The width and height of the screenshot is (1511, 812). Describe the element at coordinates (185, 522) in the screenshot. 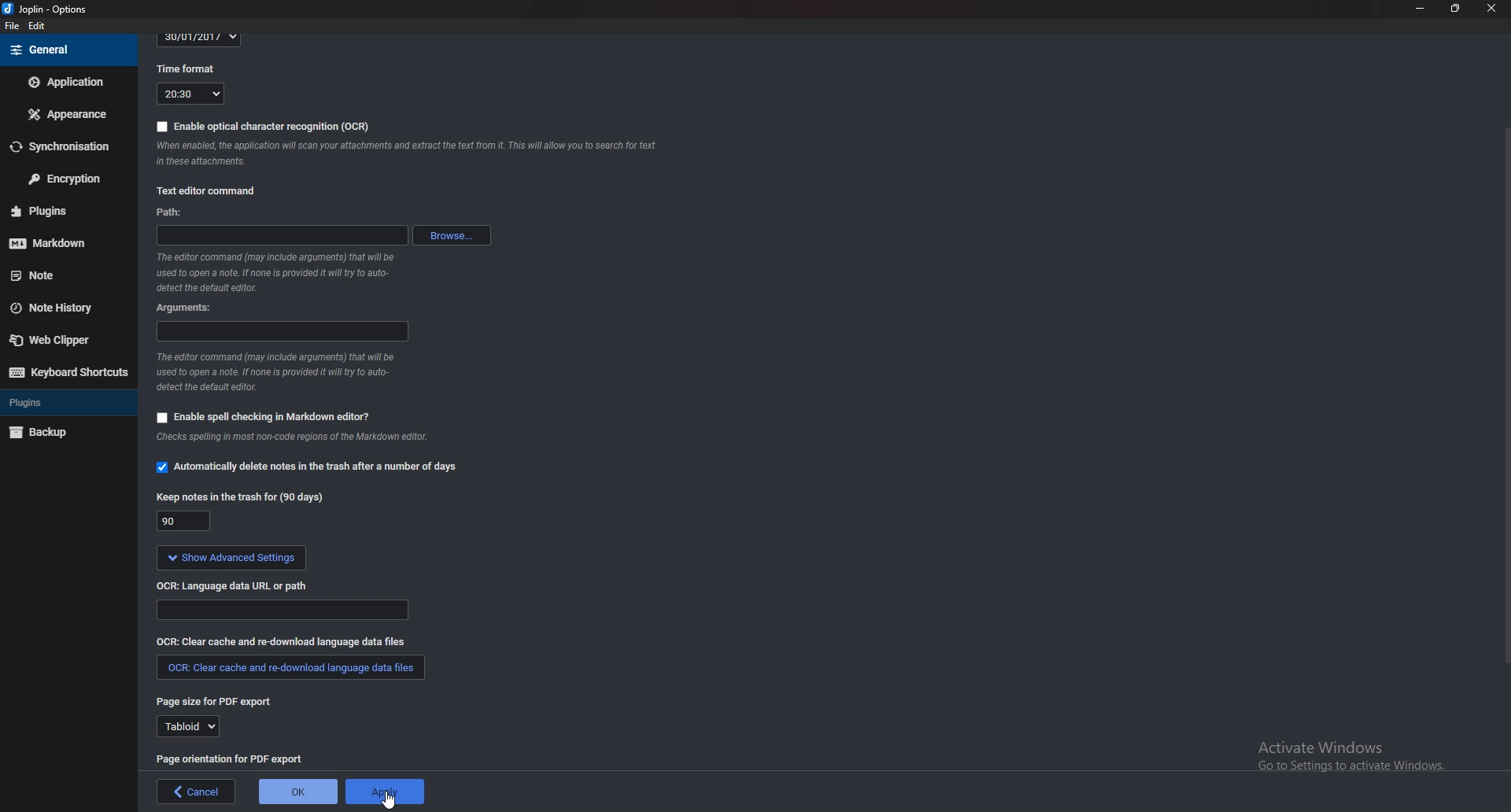

I see `90 days` at that location.